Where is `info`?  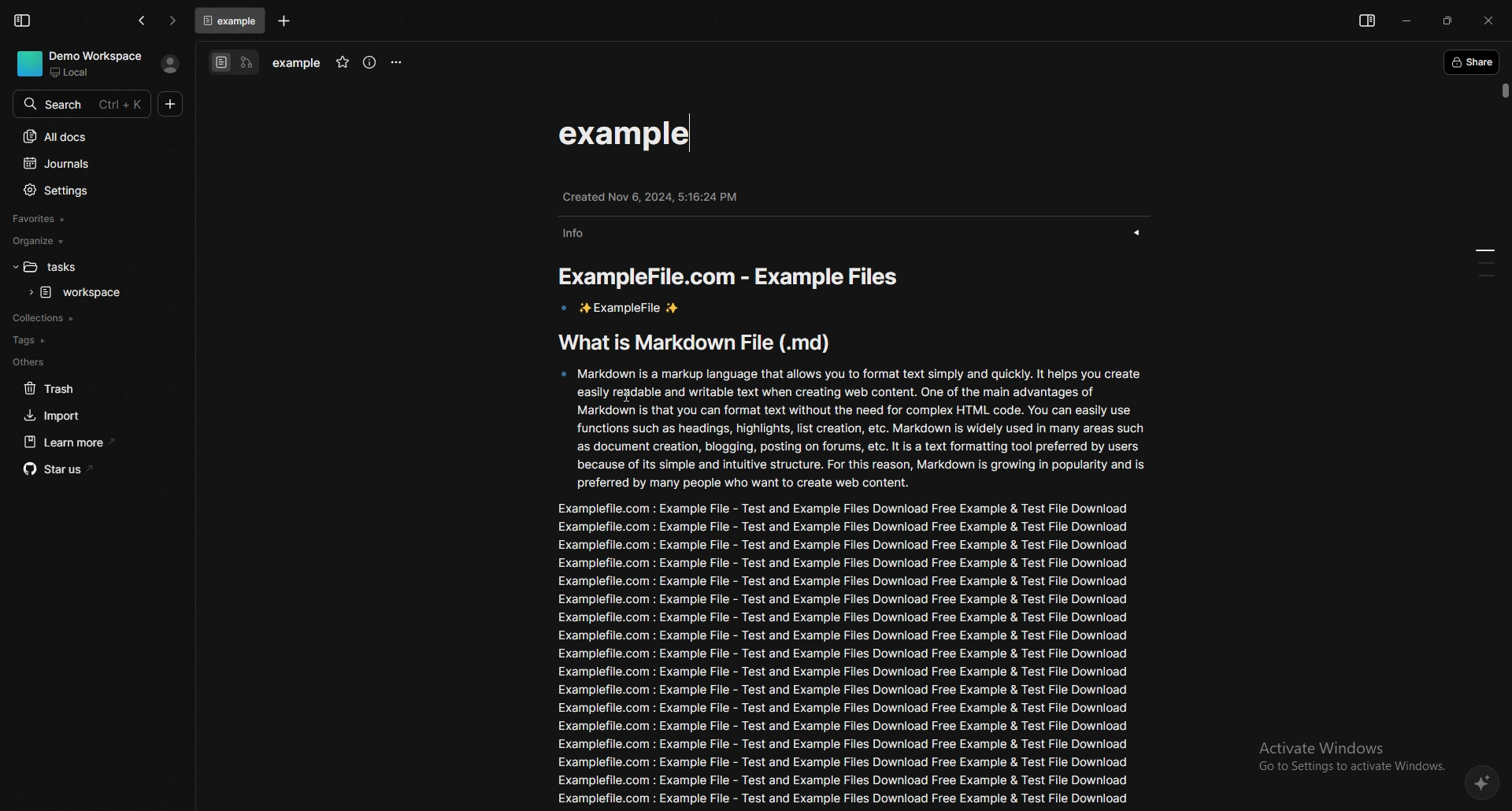 info is located at coordinates (369, 60).